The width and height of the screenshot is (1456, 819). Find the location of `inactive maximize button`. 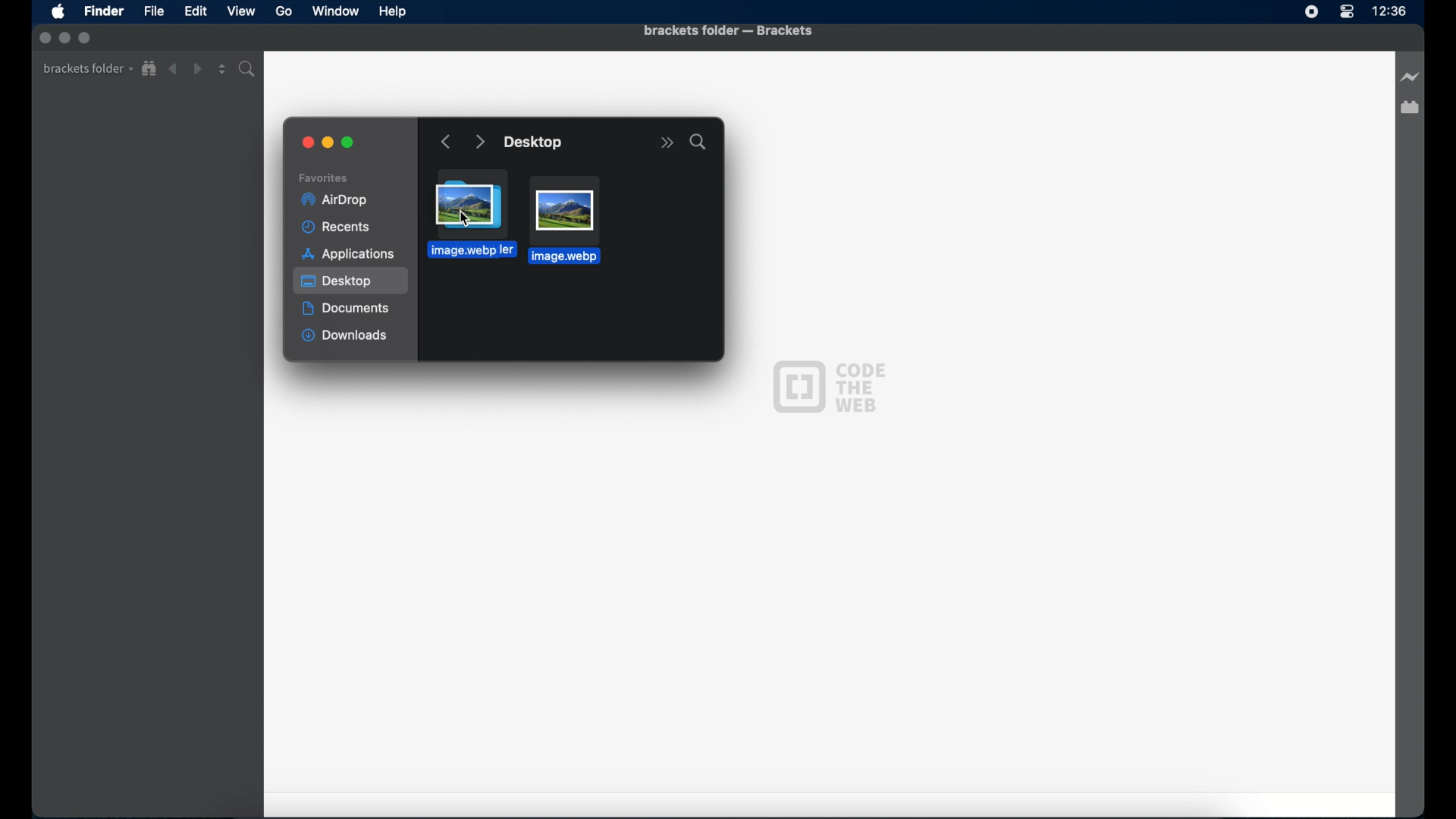

inactive maximize button is located at coordinates (86, 39).